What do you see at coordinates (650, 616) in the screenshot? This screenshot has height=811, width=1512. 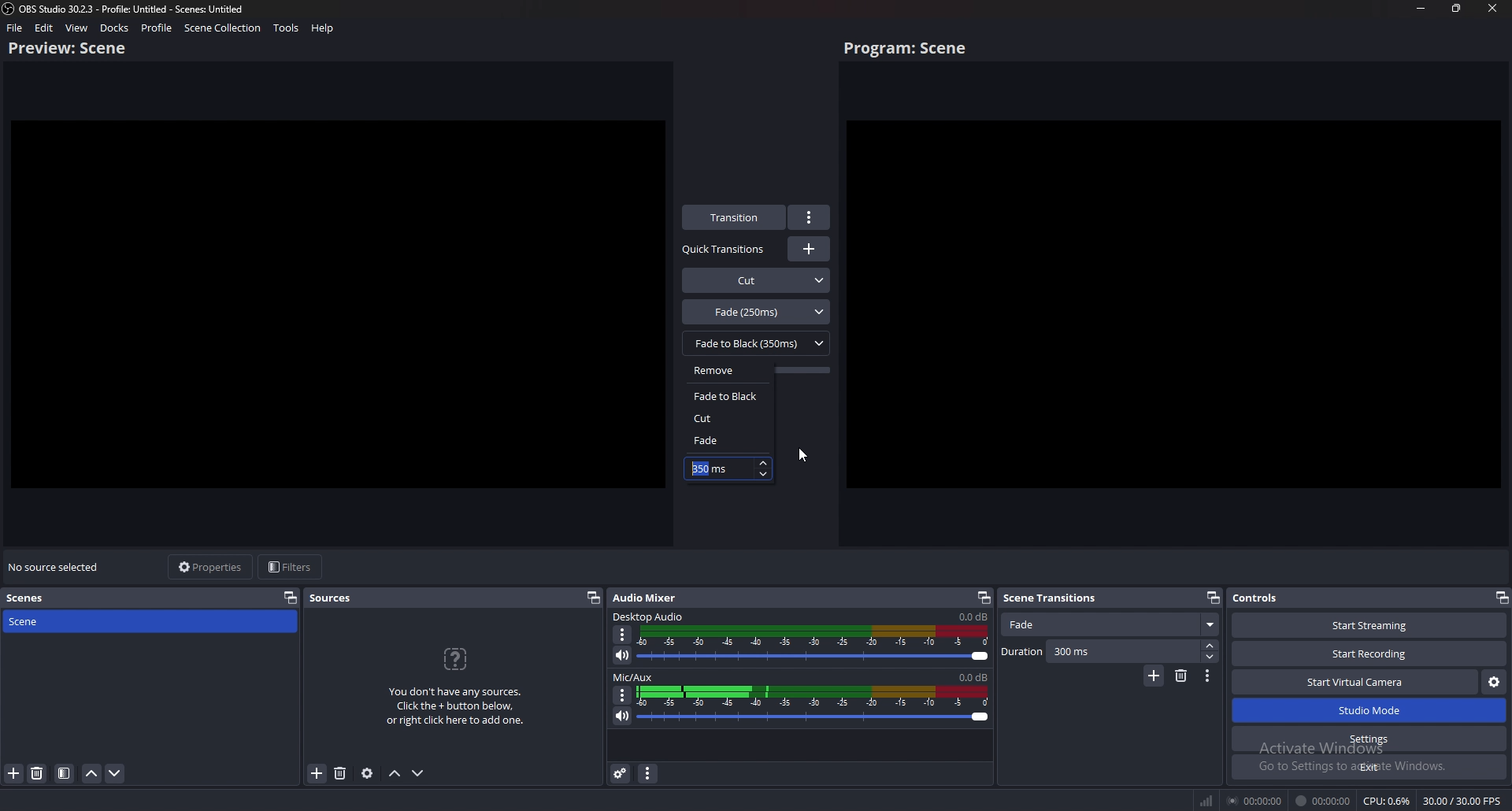 I see `Desktop audio` at bounding box center [650, 616].